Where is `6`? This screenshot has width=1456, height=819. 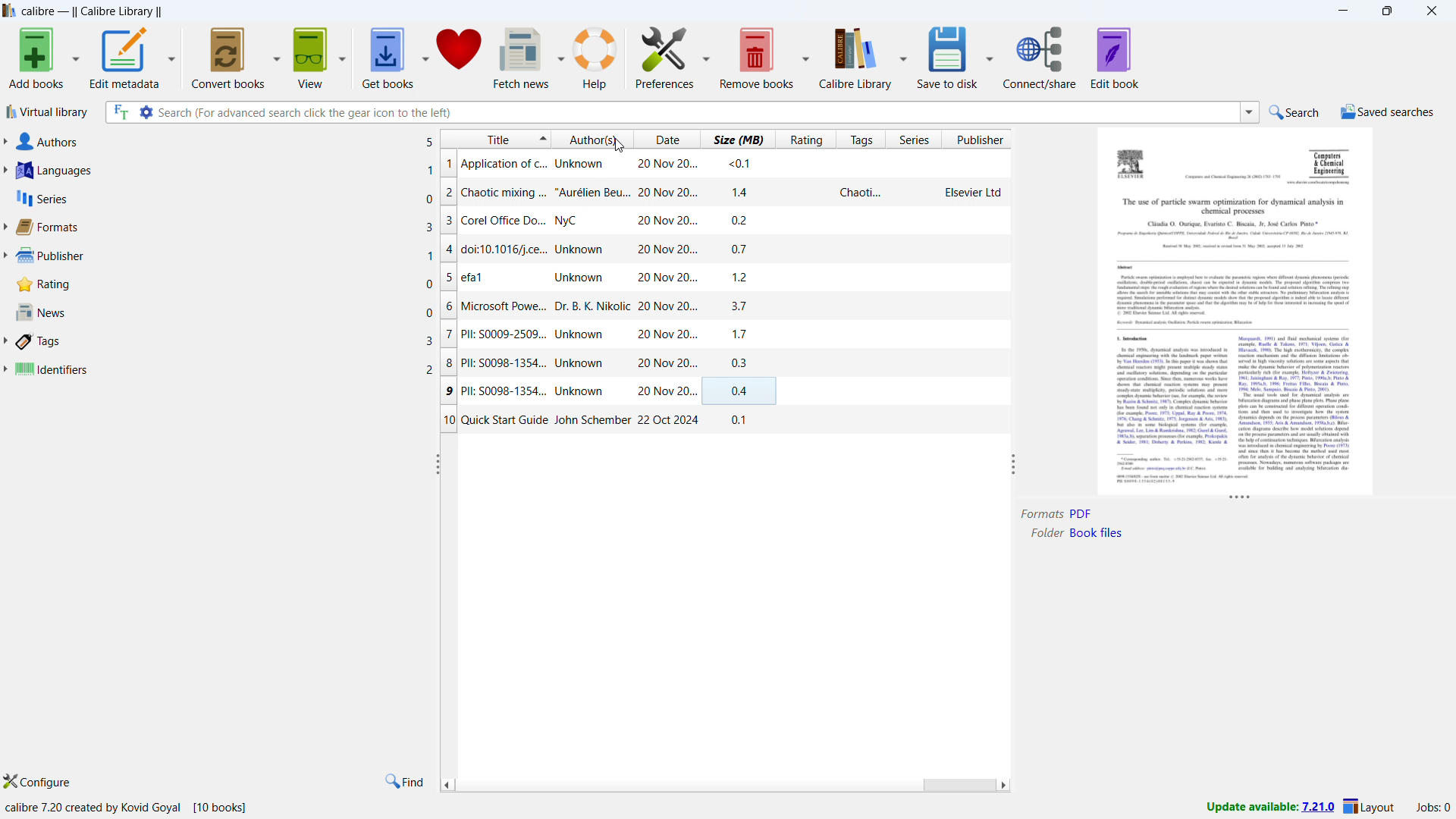
6 is located at coordinates (447, 306).